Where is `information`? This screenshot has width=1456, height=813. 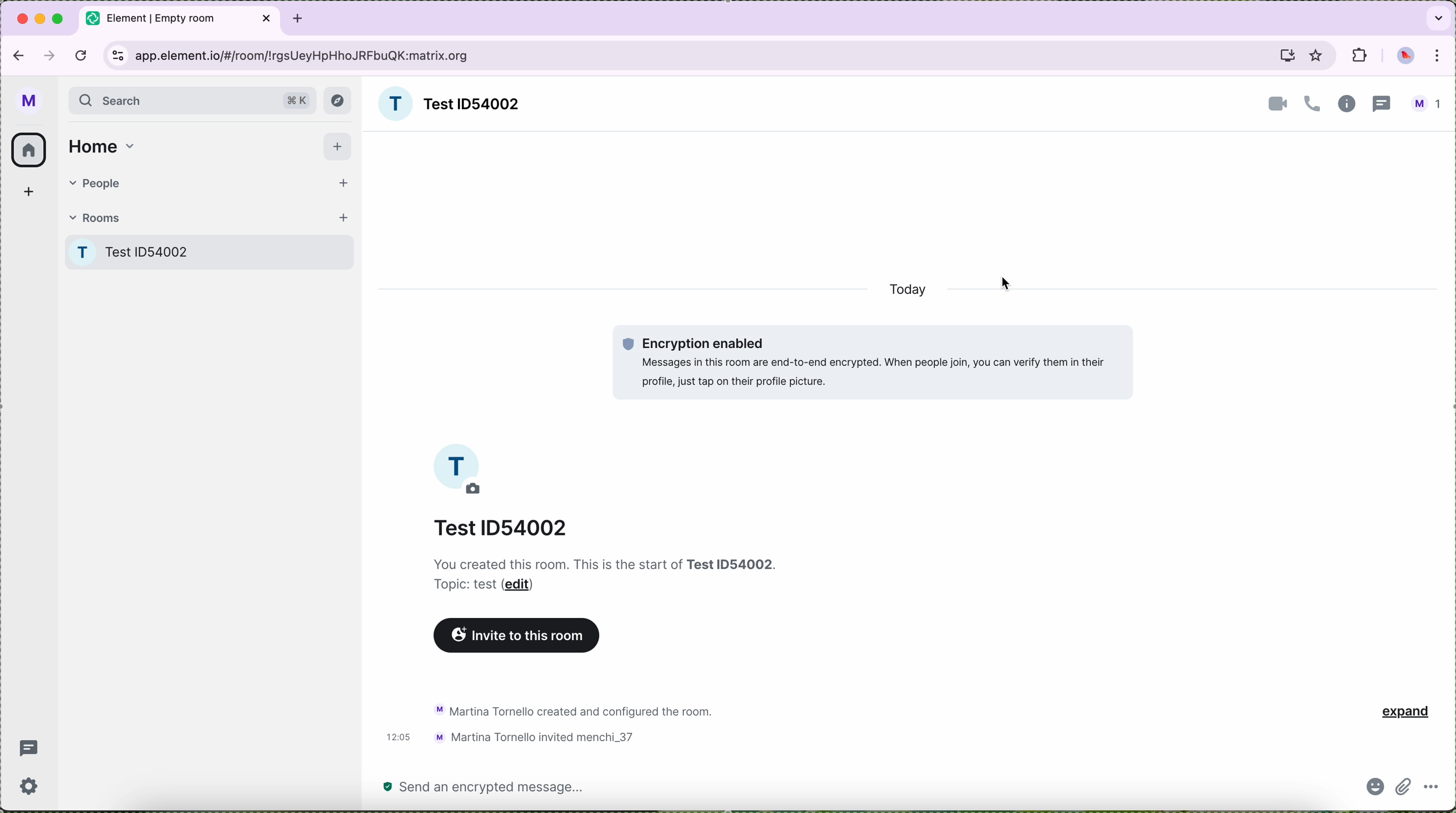 information is located at coordinates (1346, 105).